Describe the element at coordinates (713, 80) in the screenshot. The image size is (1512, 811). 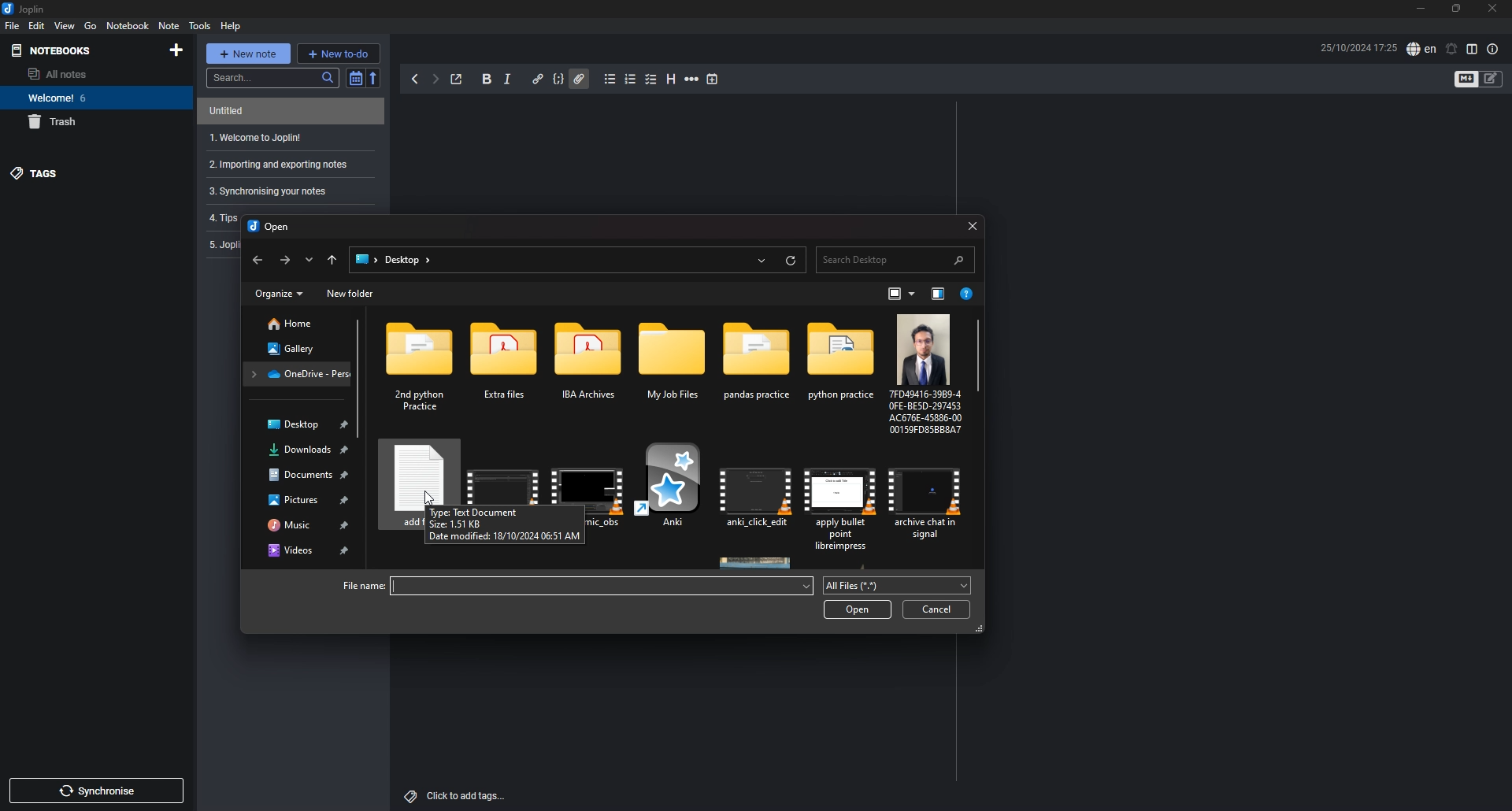
I see `insert time` at that location.